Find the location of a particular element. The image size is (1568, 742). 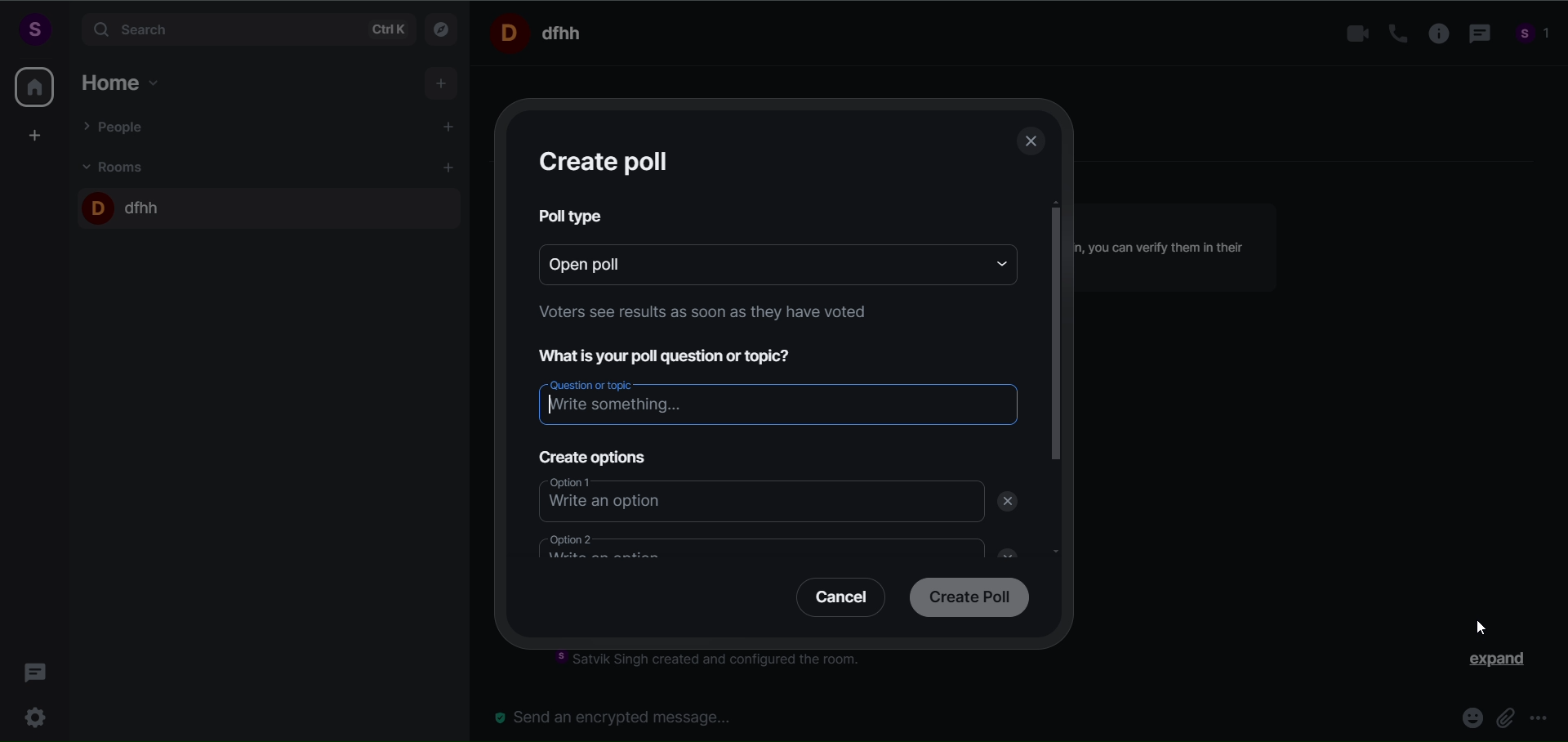

add is located at coordinates (443, 84).